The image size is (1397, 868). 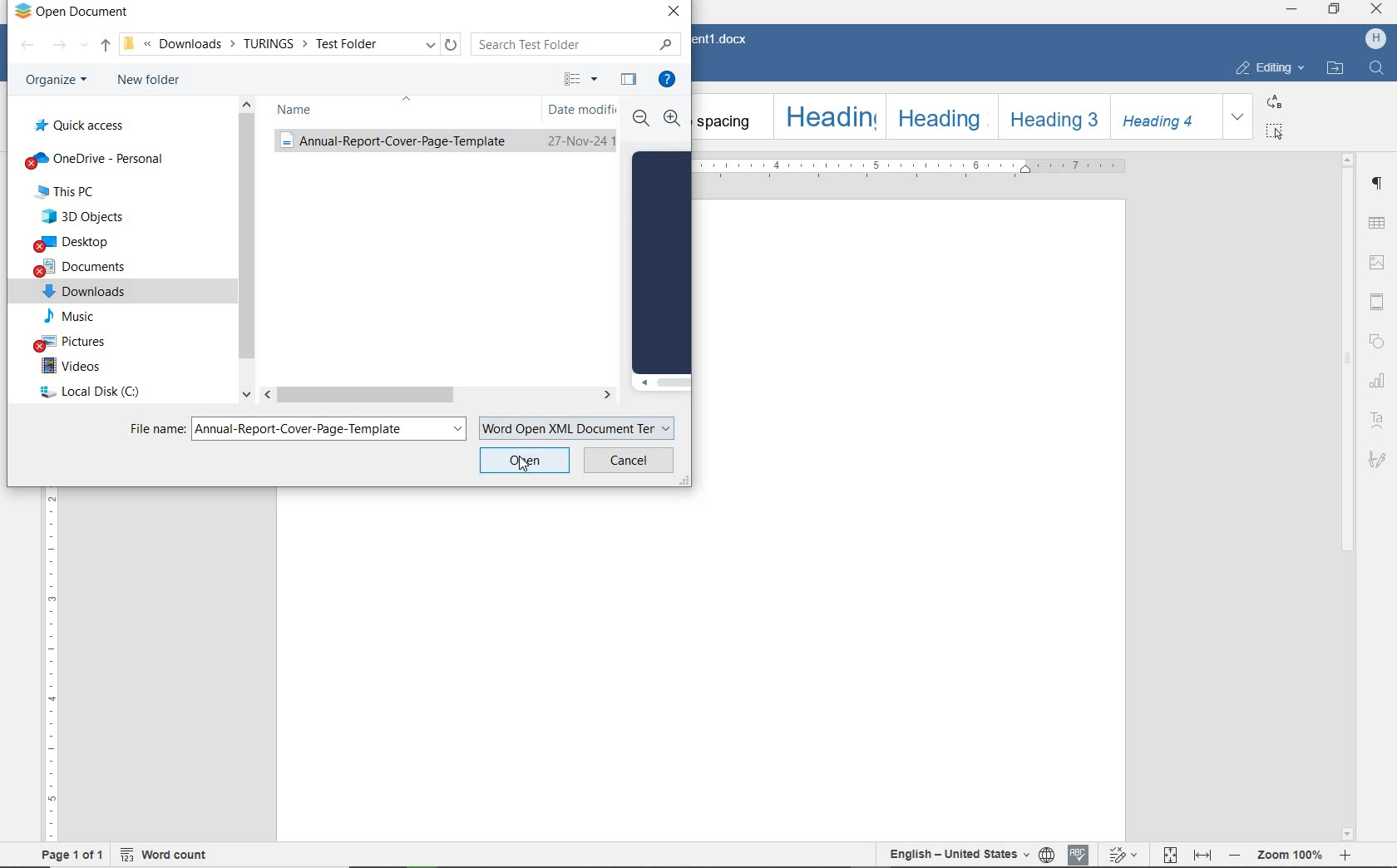 I want to click on cursor, so click(x=528, y=465).